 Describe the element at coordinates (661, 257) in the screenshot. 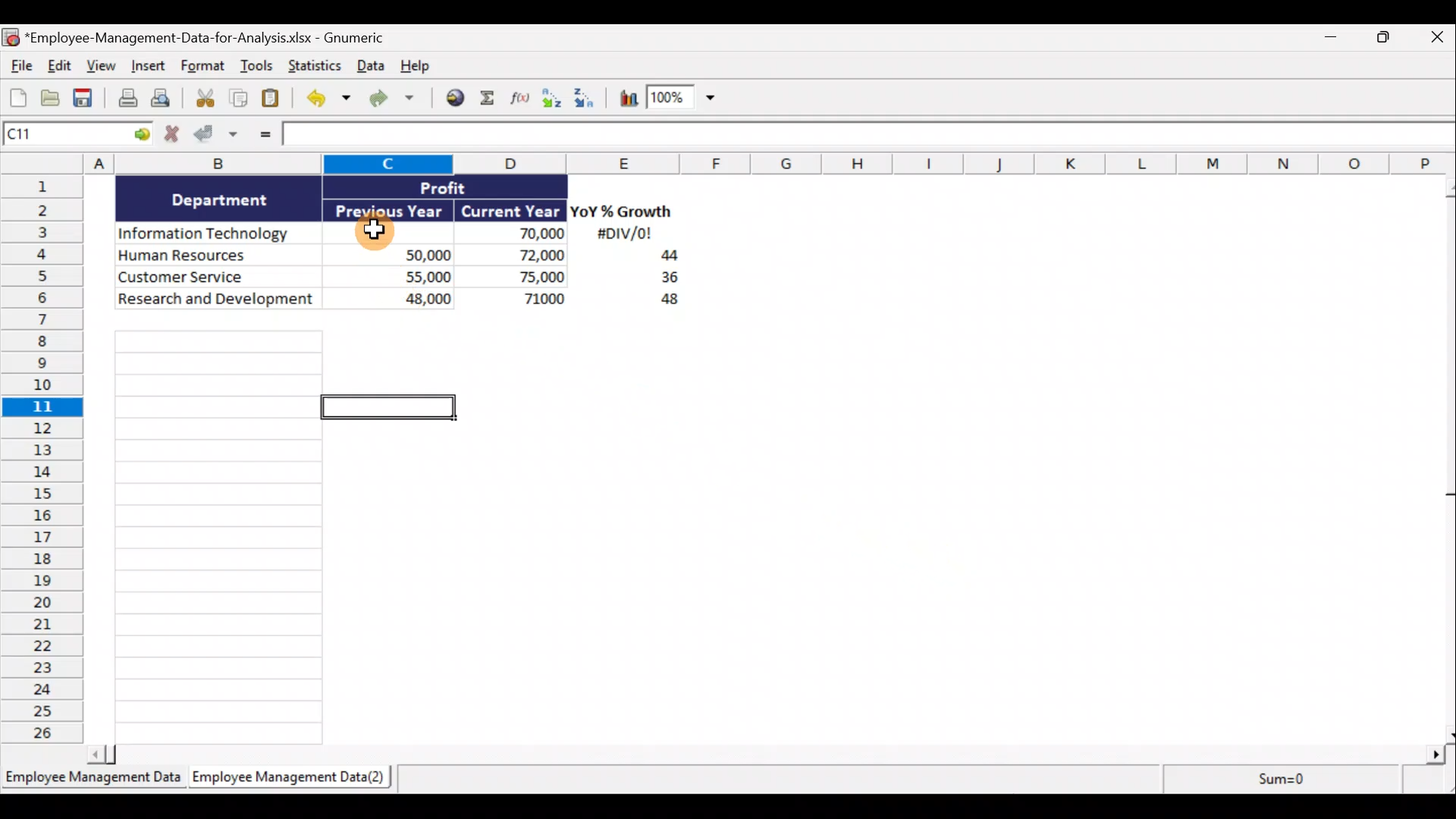

I see `44` at that location.